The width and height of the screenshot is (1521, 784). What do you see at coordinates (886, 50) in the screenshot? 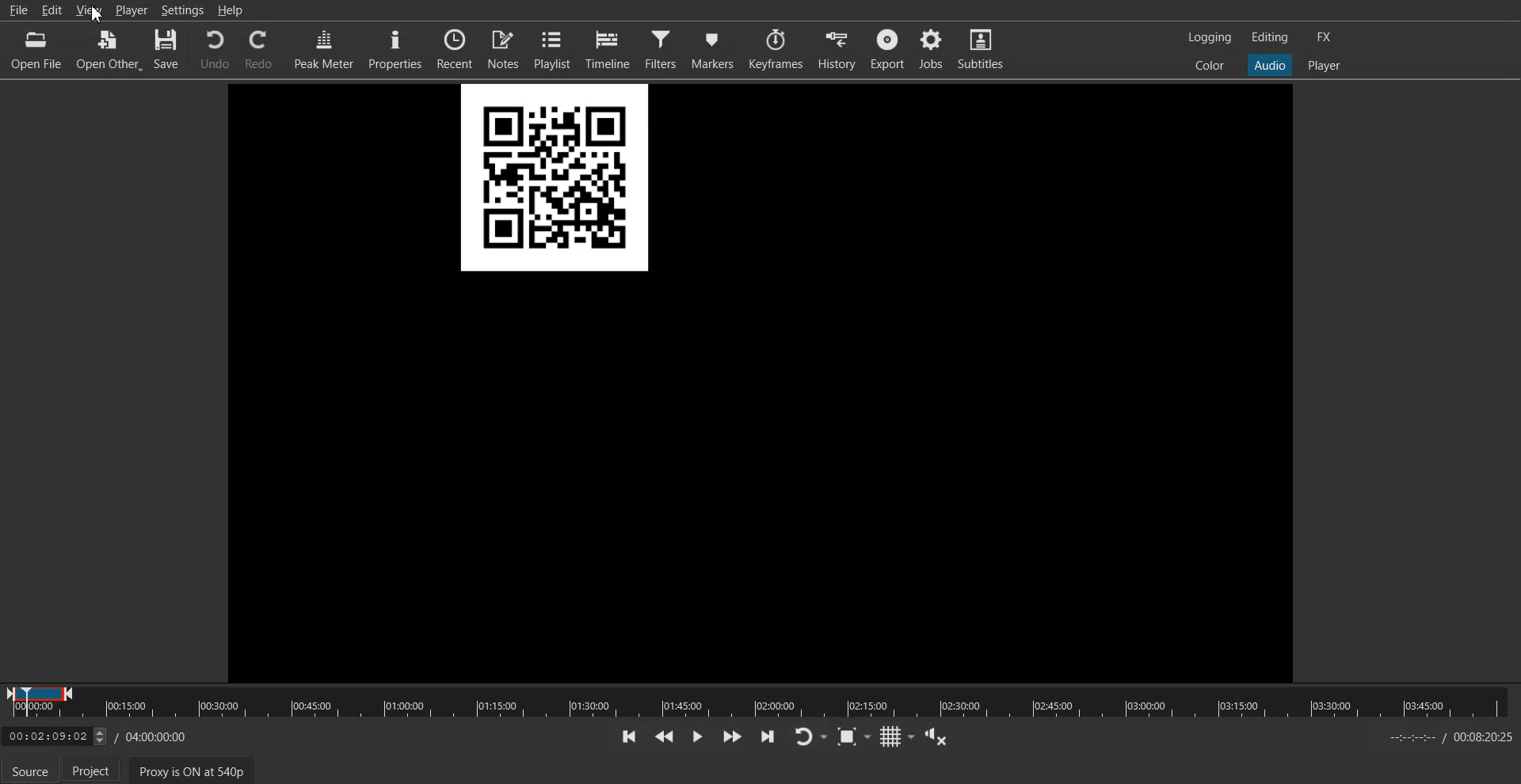
I see `Export` at bounding box center [886, 50].